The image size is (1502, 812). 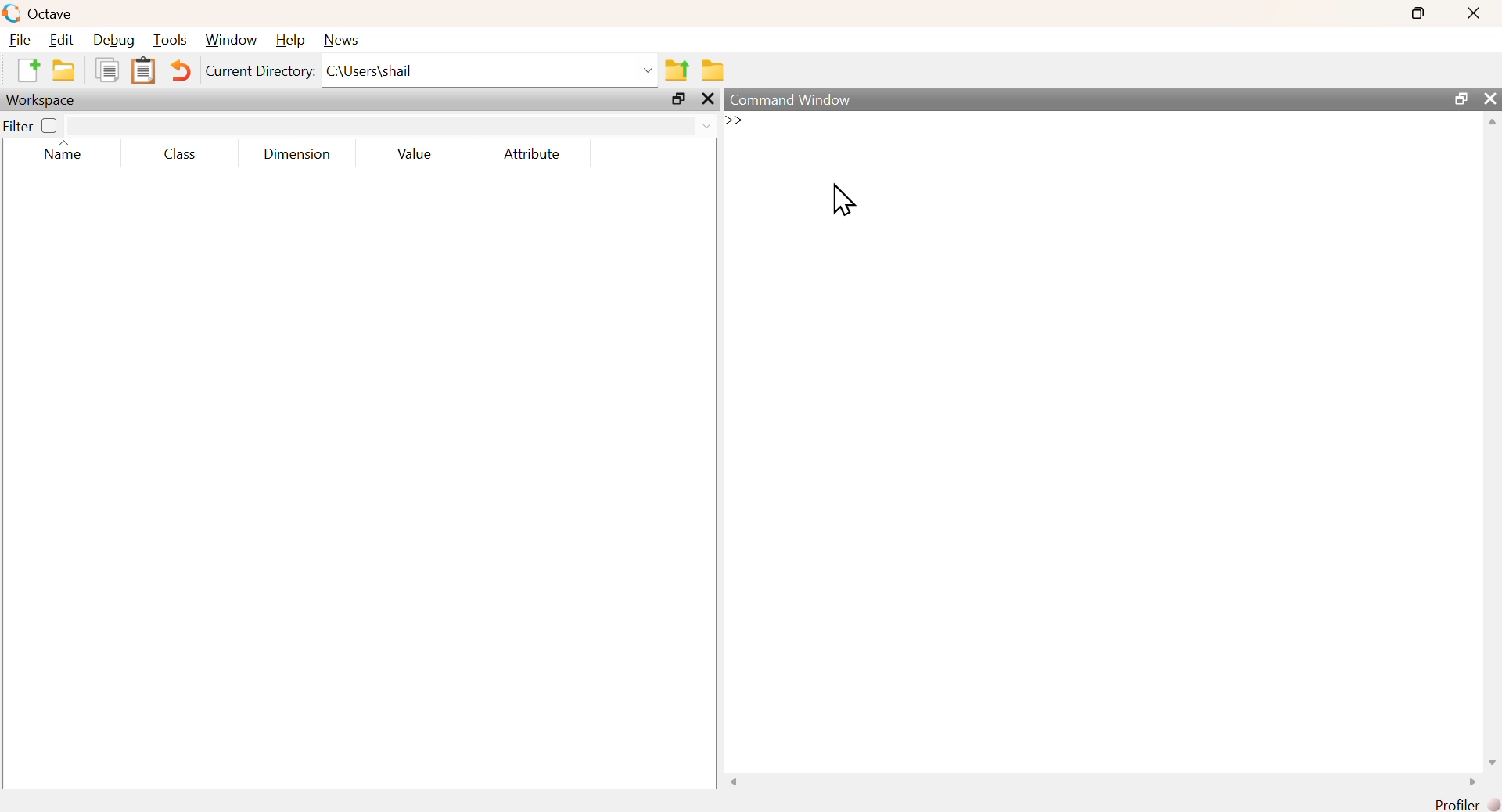 What do you see at coordinates (1493, 441) in the screenshot?
I see `scrollbar` at bounding box center [1493, 441].